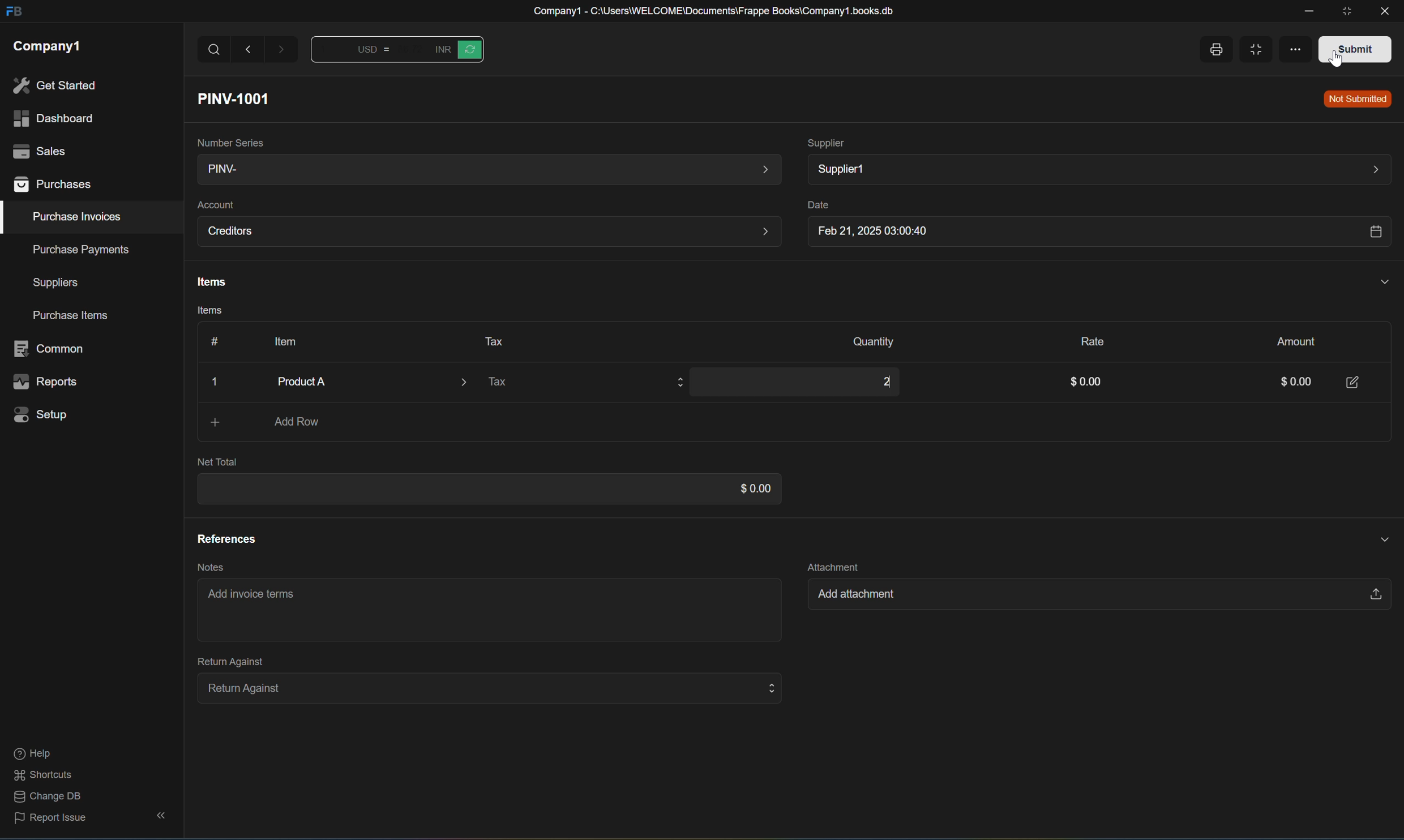  I want to click on Supplier1, so click(1097, 169).